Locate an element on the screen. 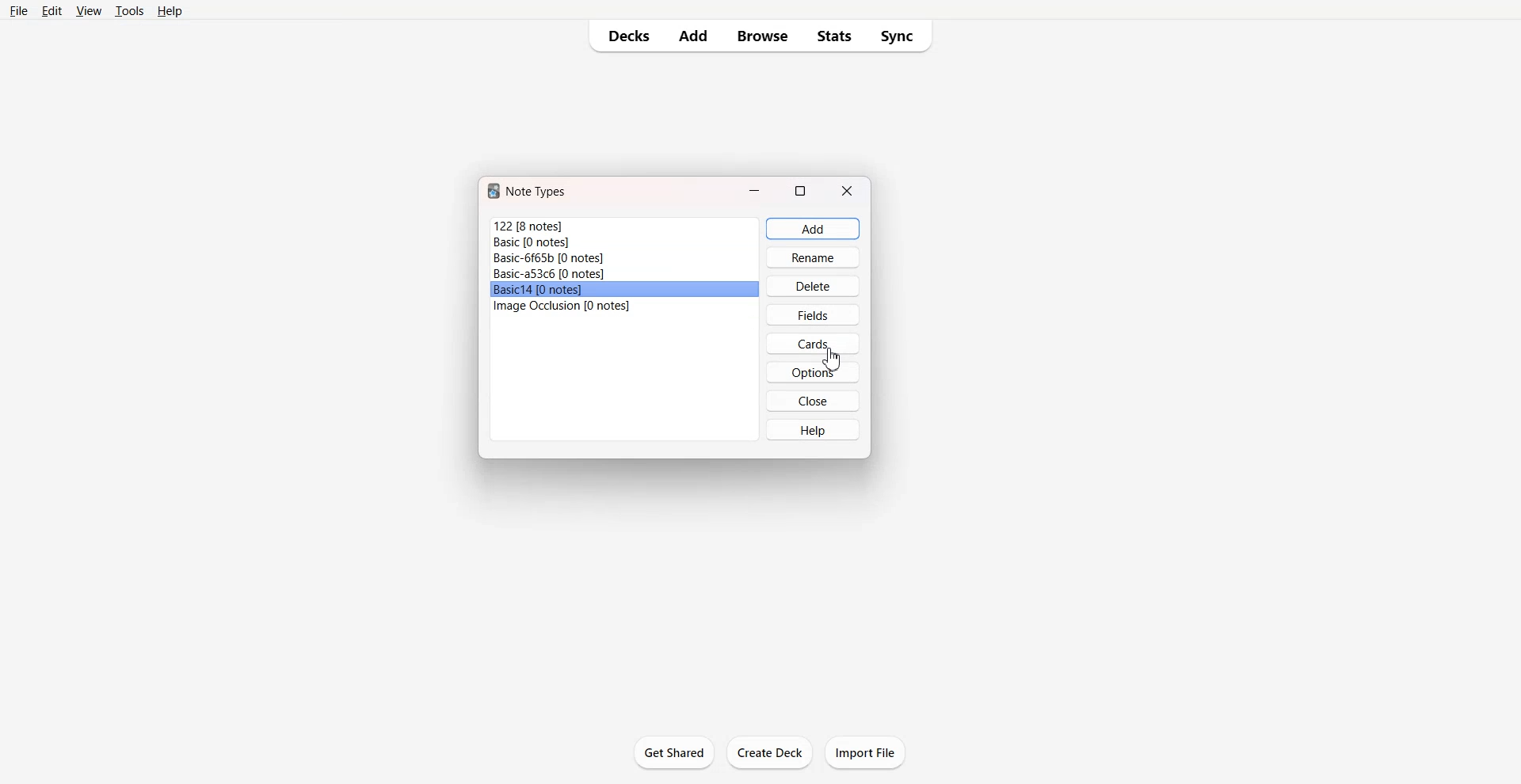 Image resolution: width=1521 pixels, height=784 pixels. File is located at coordinates (625, 226).